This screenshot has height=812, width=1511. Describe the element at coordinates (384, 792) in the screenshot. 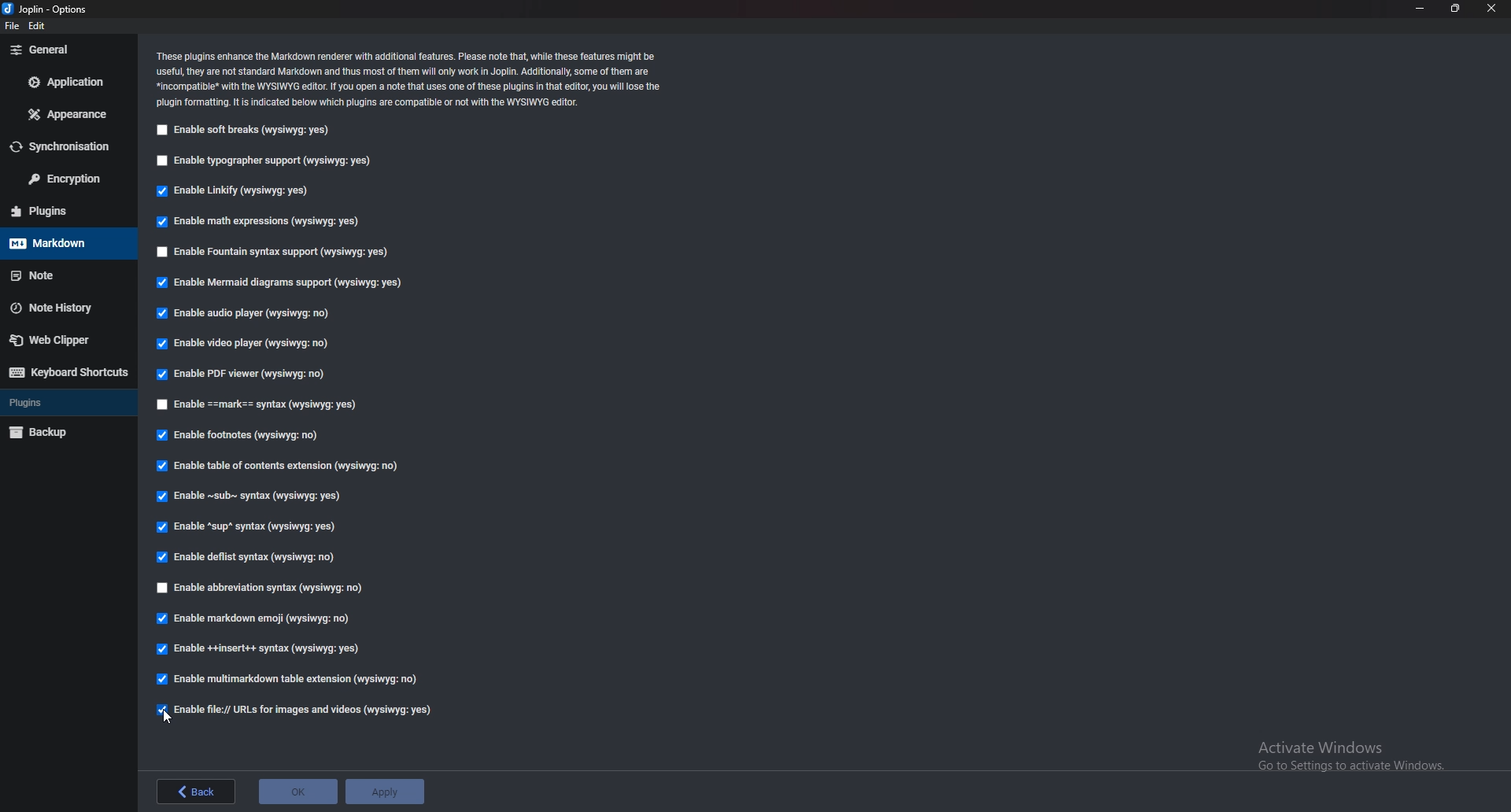

I see `apply` at that location.